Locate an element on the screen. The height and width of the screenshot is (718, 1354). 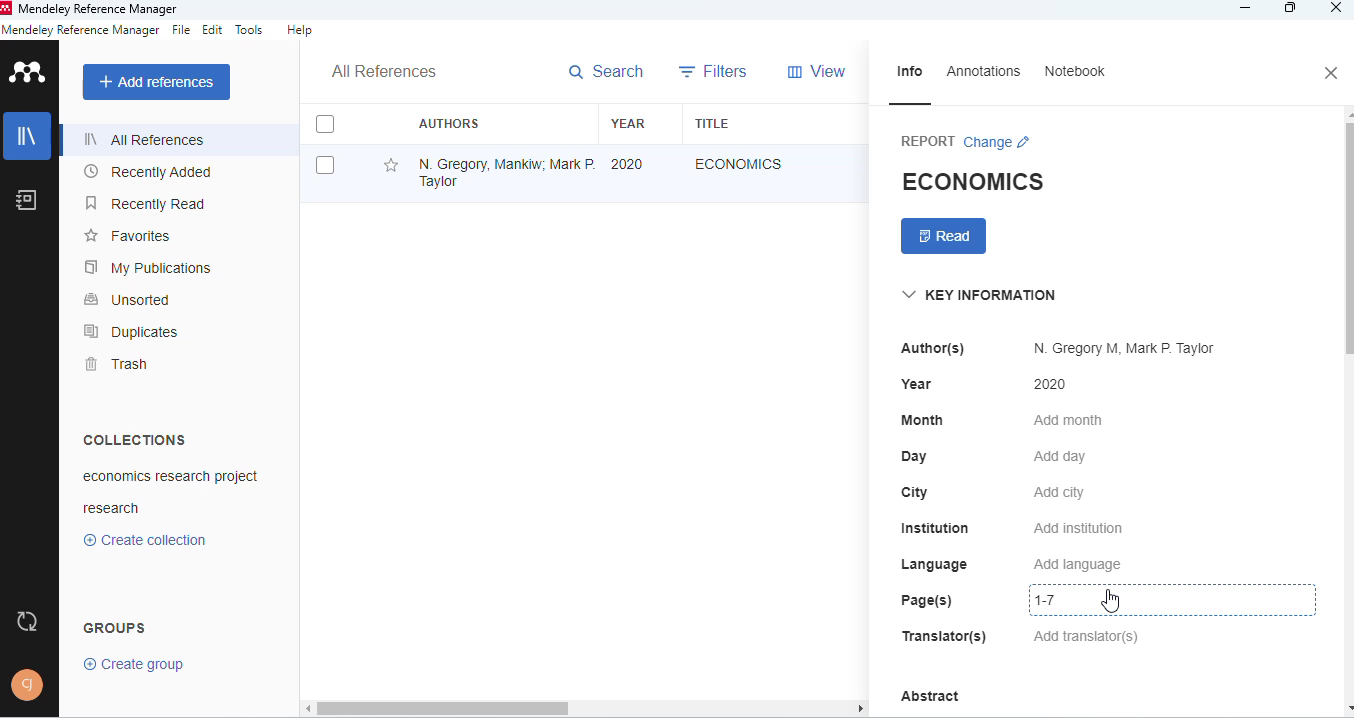
info is located at coordinates (909, 72).